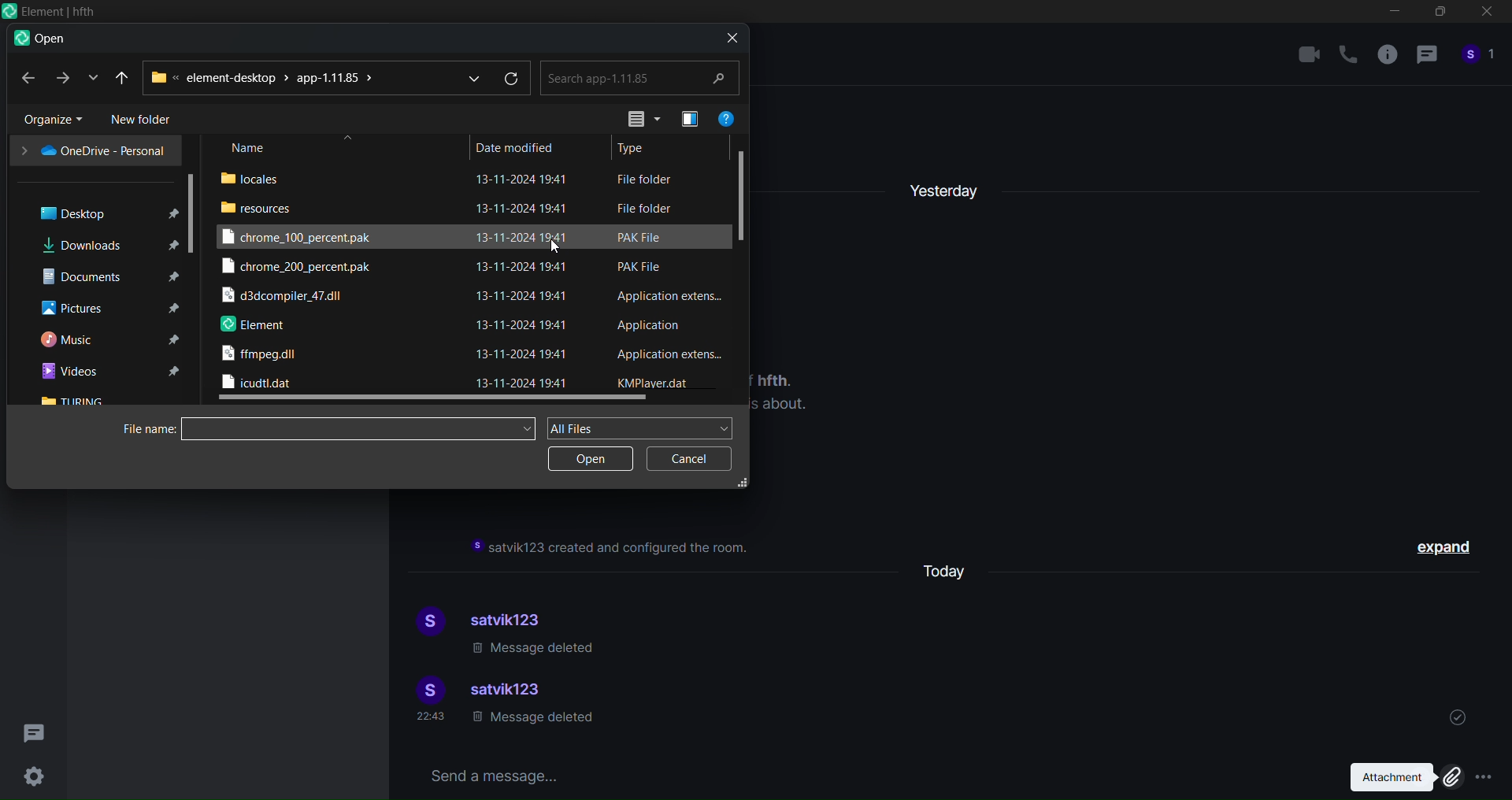 This screenshot has height=800, width=1512. What do you see at coordinates (260, 207) in the screenshot?
I see `resouces` at bounding box center [260, 207].